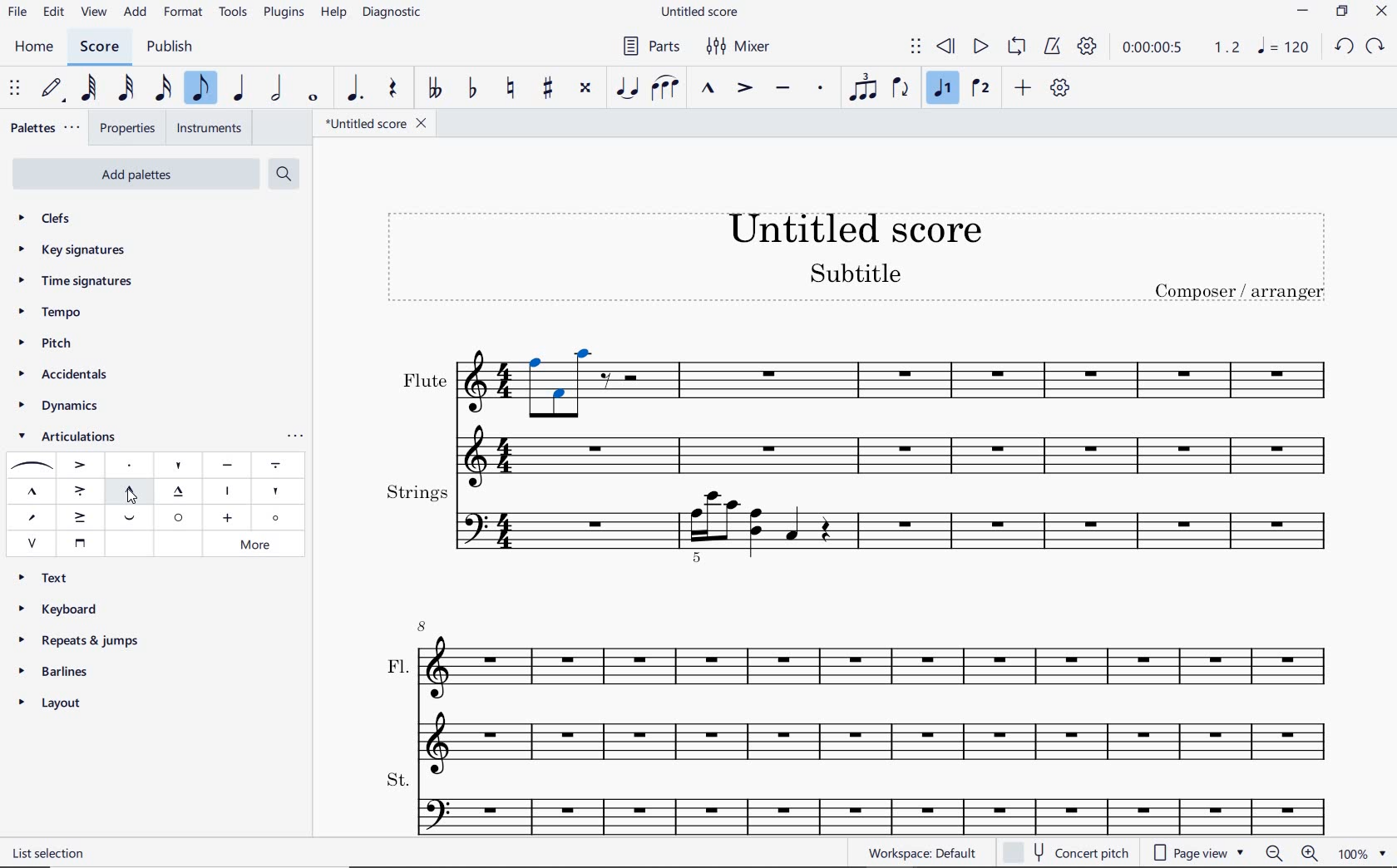 The width and height of the screenshot is (1397, 868). Describe the element at coordinates (278, 518) in the screenshot. I see `HARMONIC` at that location.